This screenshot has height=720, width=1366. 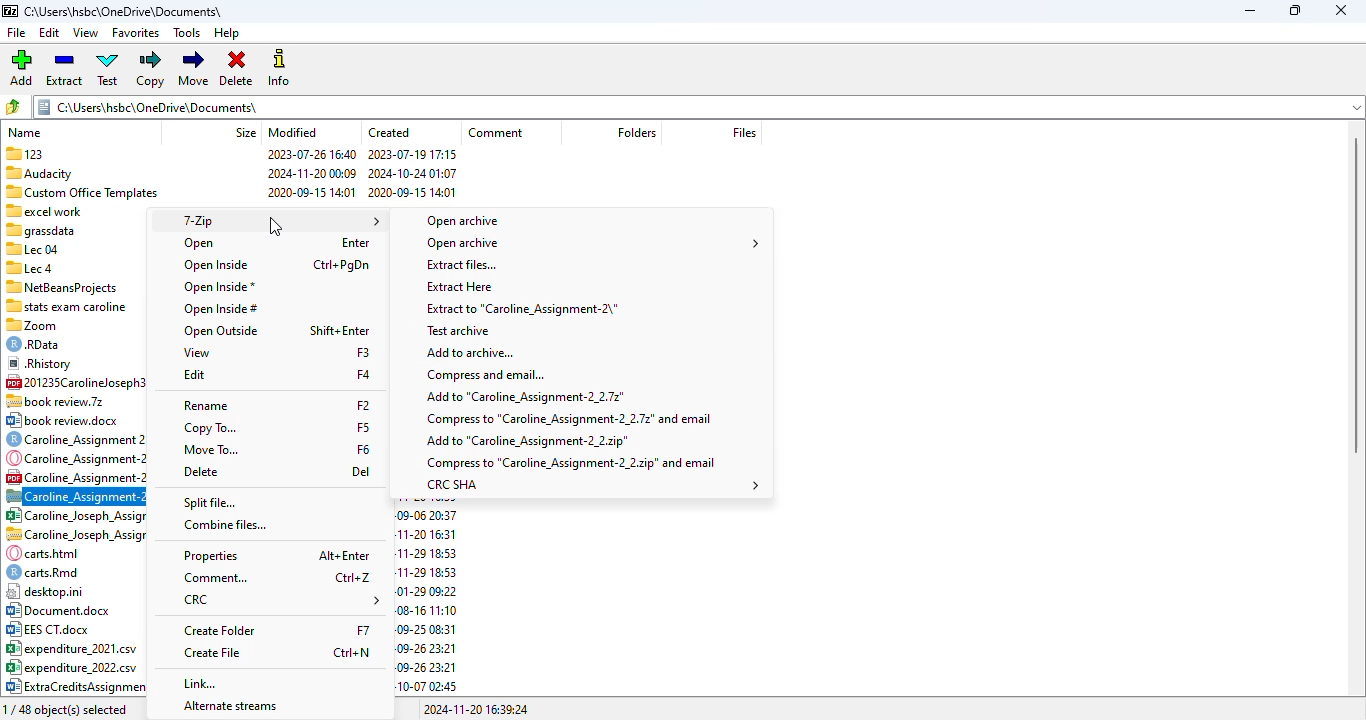 I want to click on create folder, so click(x=219, y=631).